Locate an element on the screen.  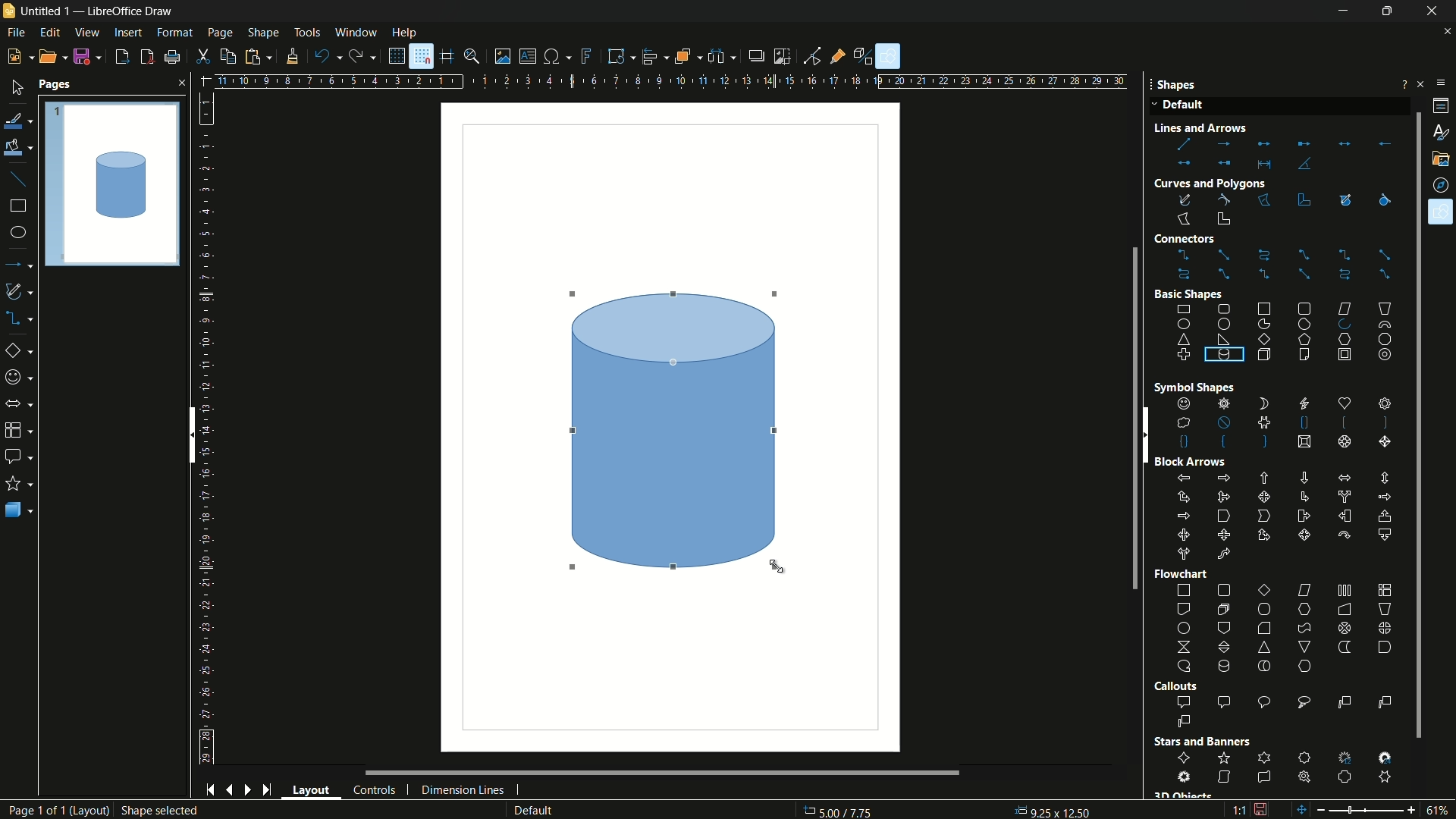
Connectors is located at coordinates (1209, 239).